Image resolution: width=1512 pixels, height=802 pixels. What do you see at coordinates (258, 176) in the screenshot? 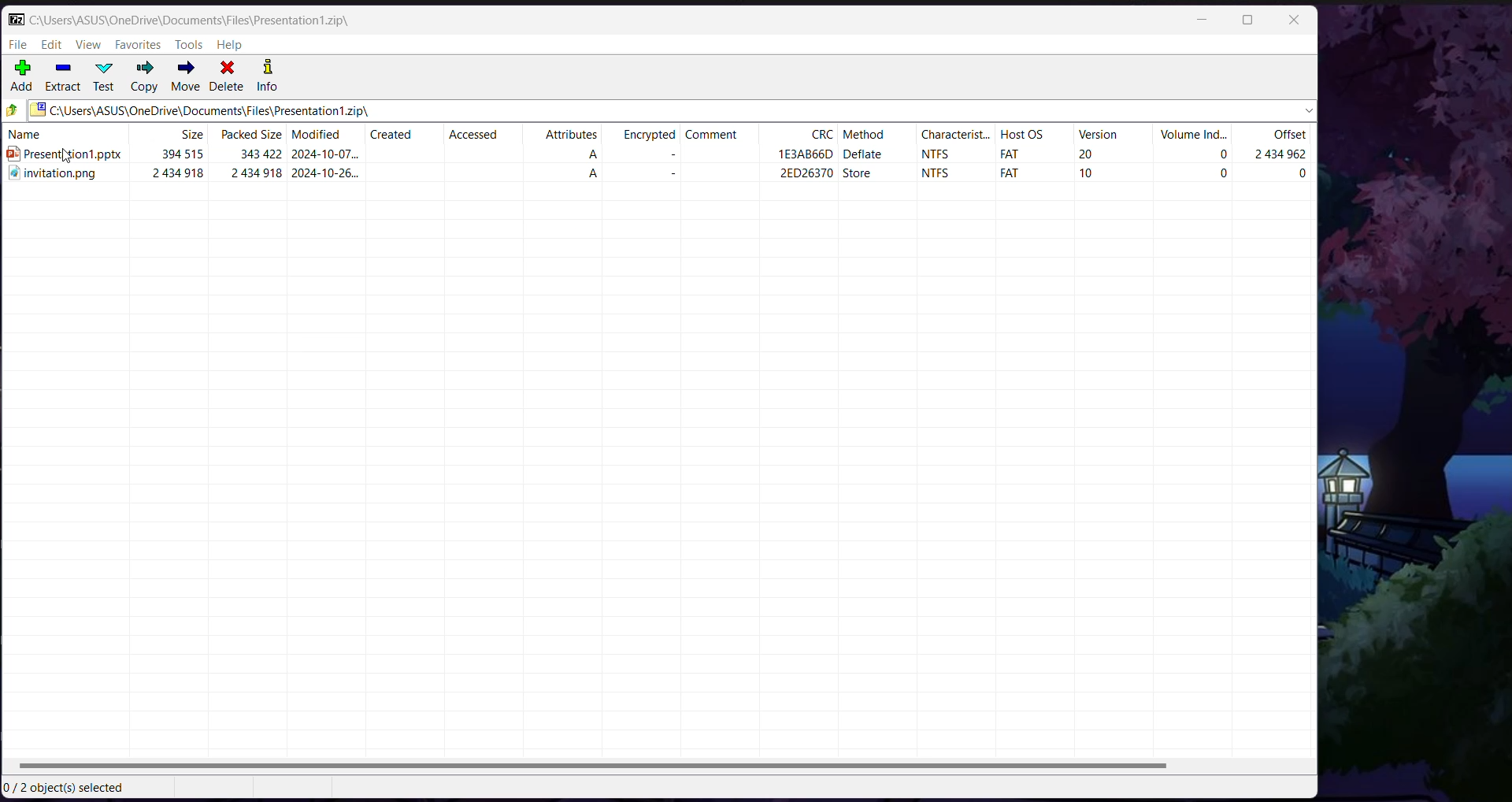
I see `2434918` at bounding box center [258, 176].